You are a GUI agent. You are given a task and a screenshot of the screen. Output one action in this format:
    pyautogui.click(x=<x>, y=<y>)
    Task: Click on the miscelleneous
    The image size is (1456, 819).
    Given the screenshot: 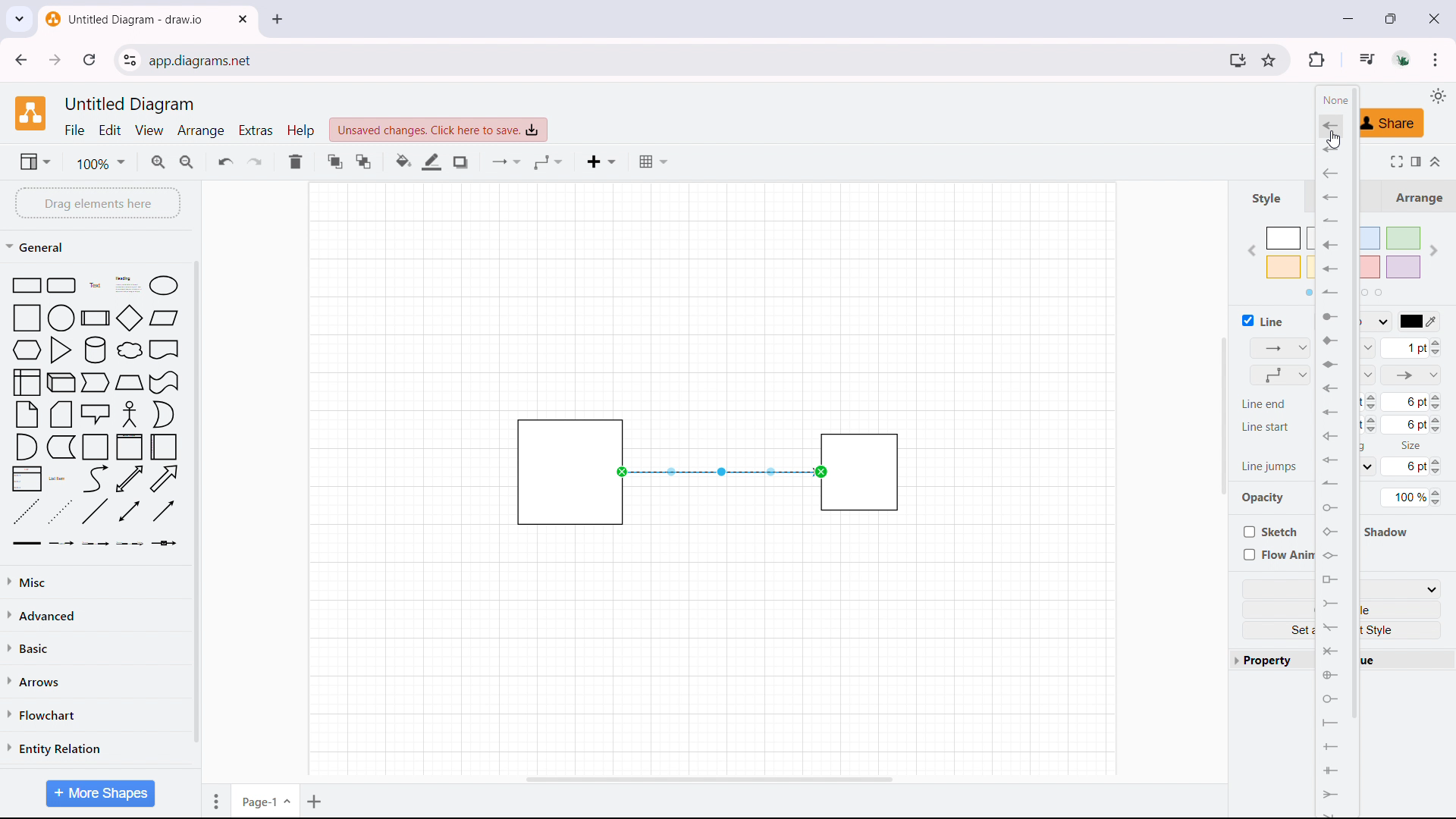 What is the action you would take?
    pyautogui.click(x=96, y=581)
    